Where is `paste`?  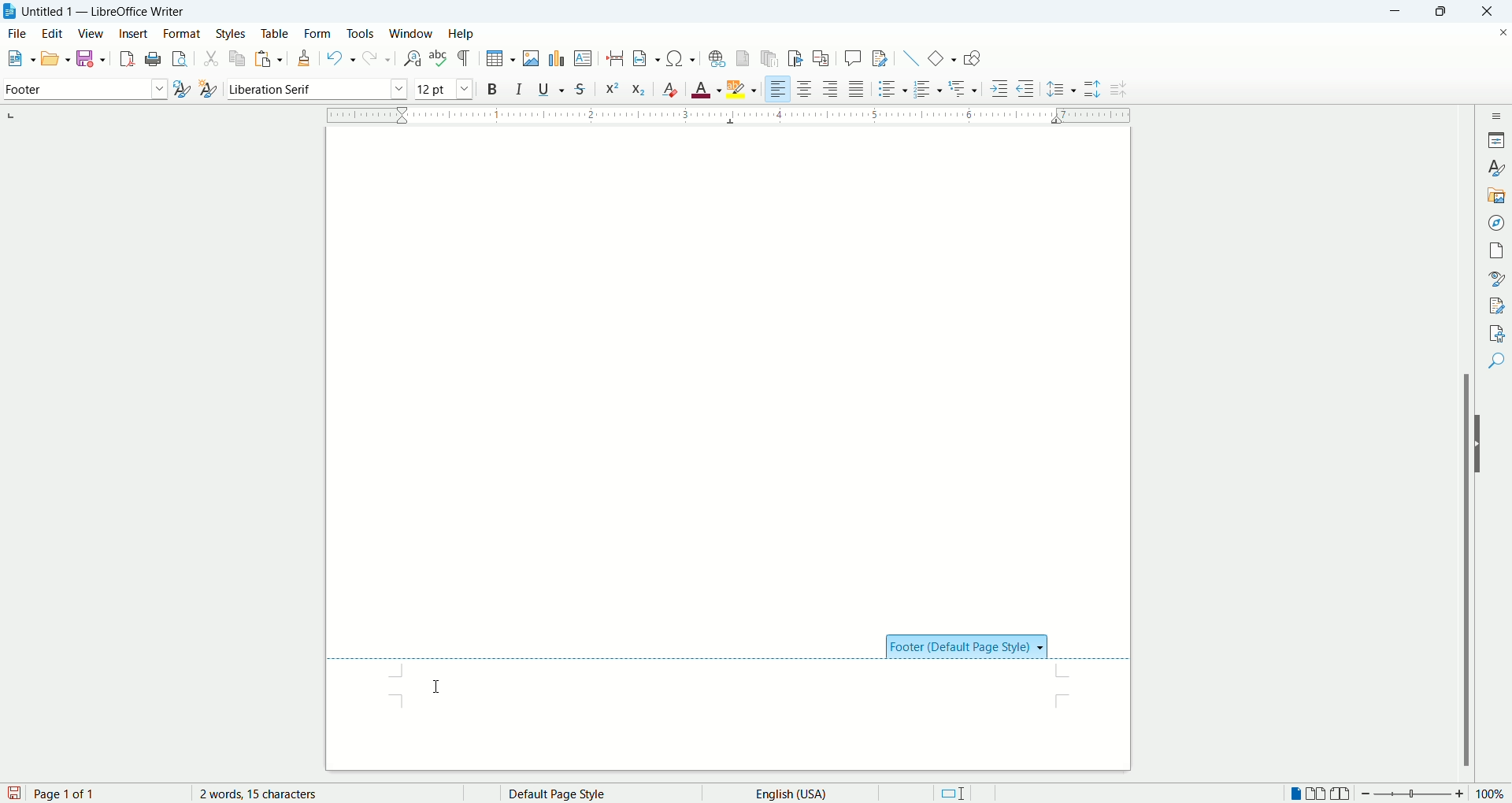 paste is located at coordinates (270, 56).